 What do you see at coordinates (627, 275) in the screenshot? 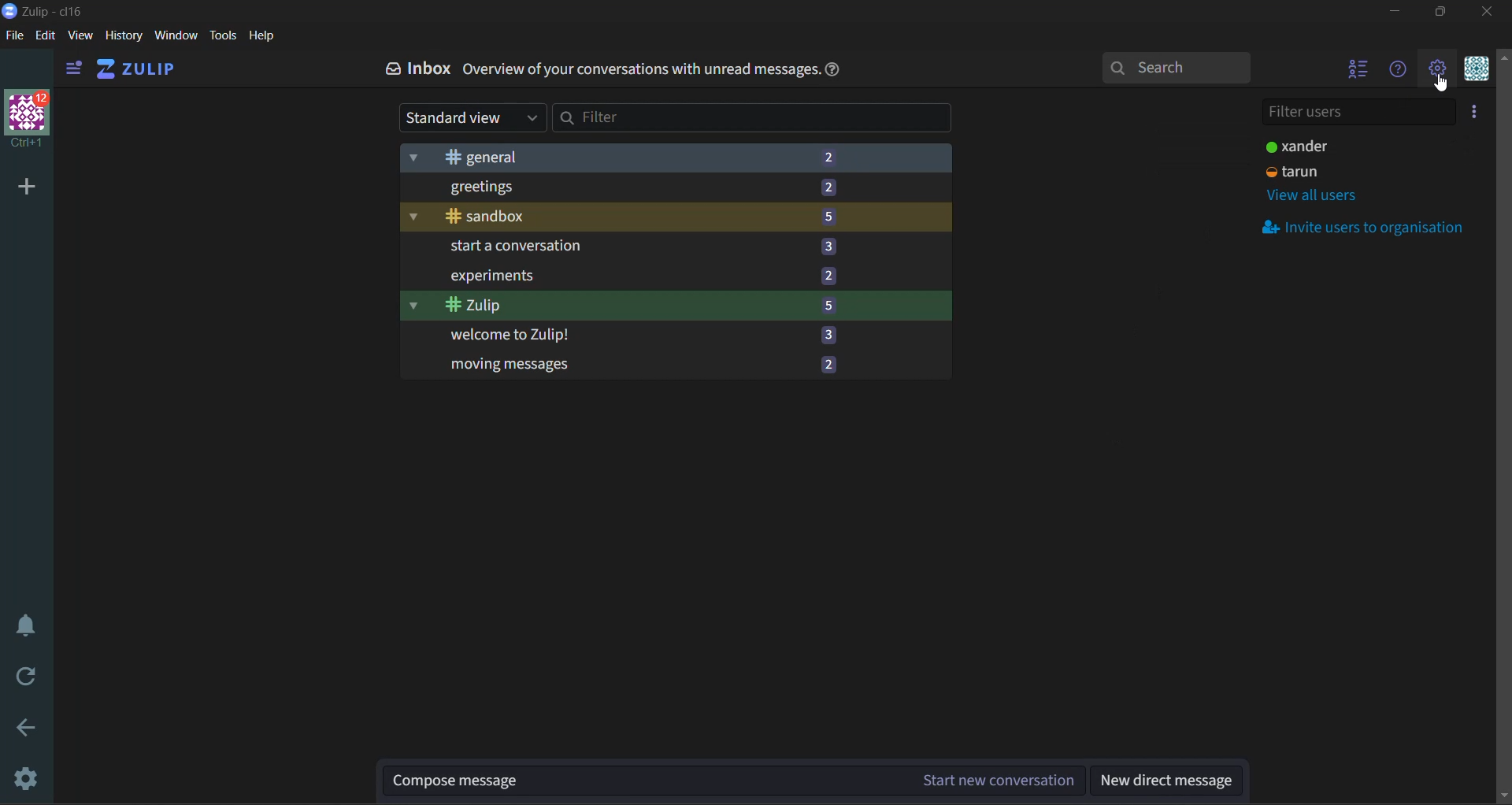
I see `experiments` at bounding box center [627, 275].